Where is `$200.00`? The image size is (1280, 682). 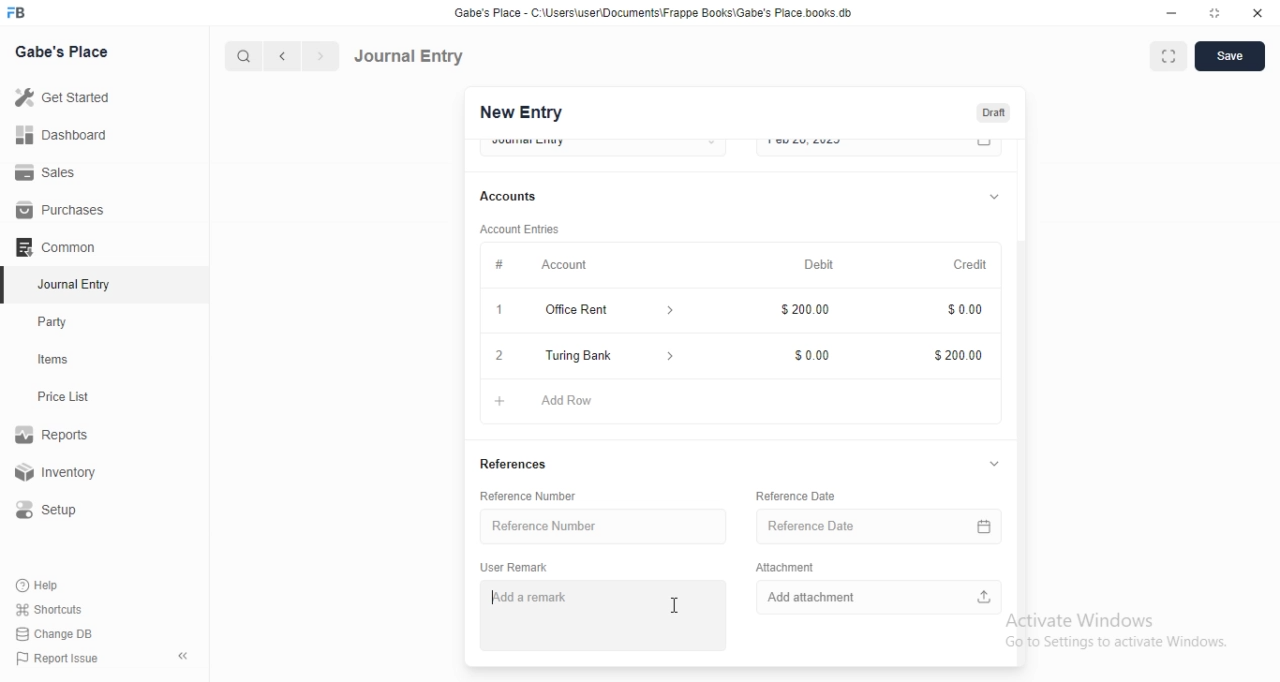
$200.00 is located at coordinates (802, 311).